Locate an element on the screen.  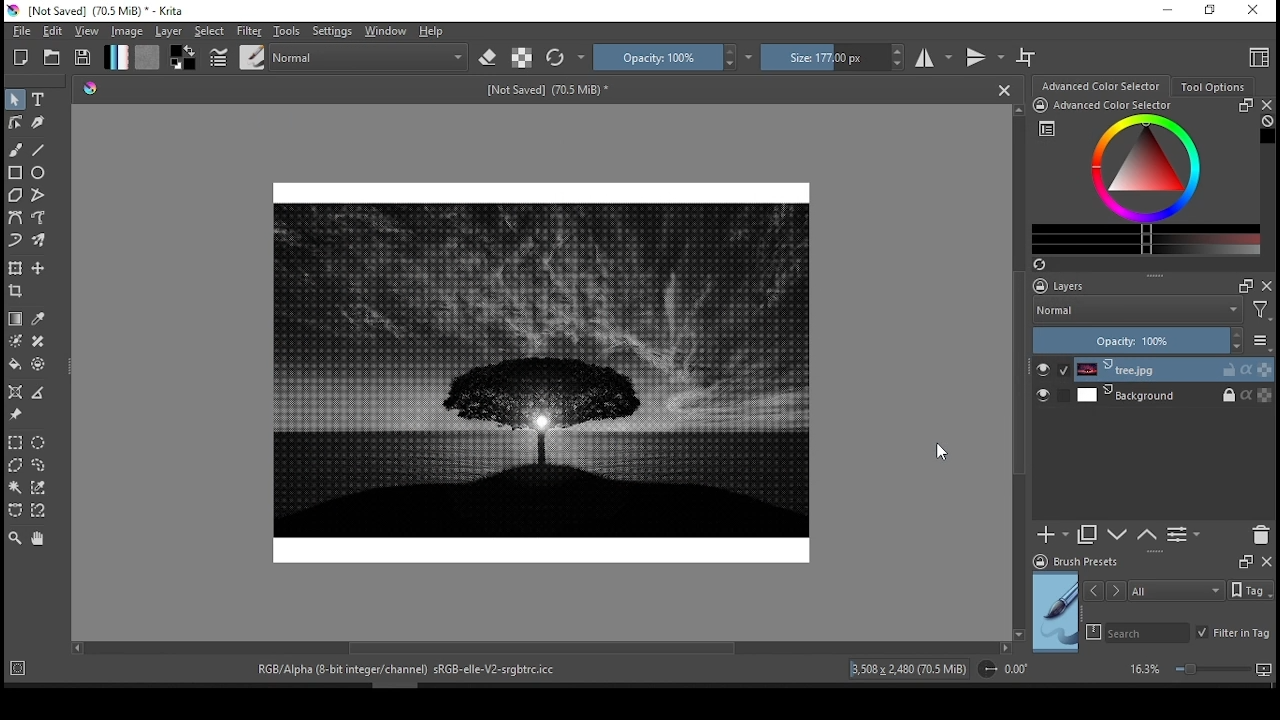
square  tool is located at coordinates (16, 172).